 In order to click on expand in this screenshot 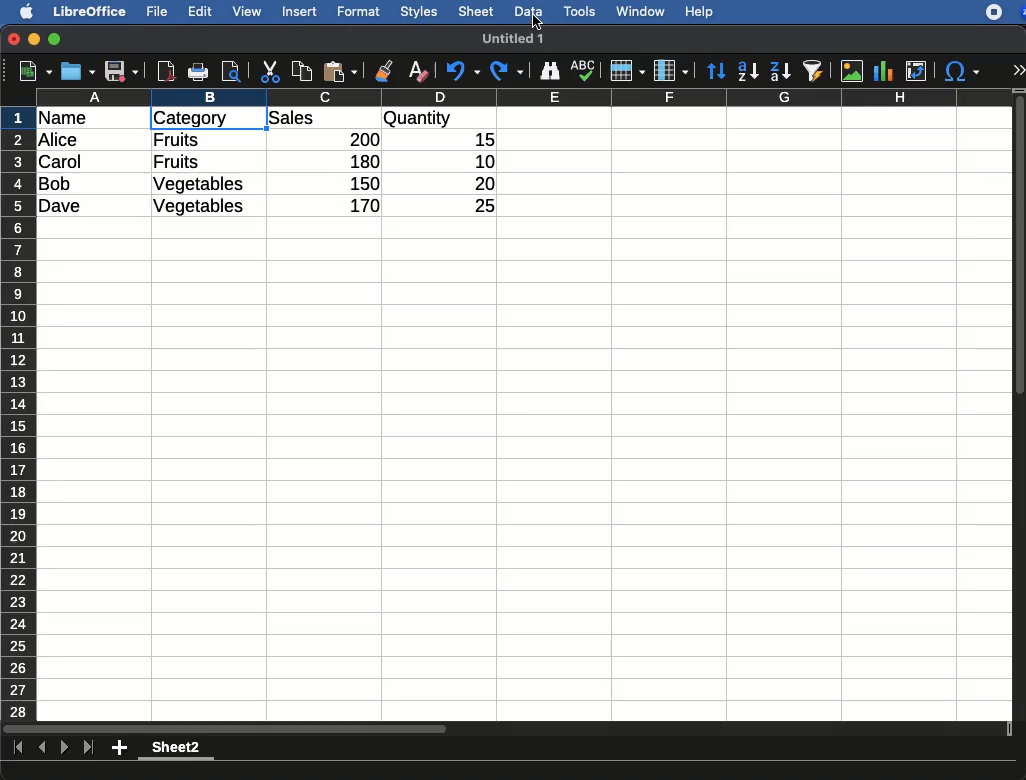, I will do `click(1018, 70)`.